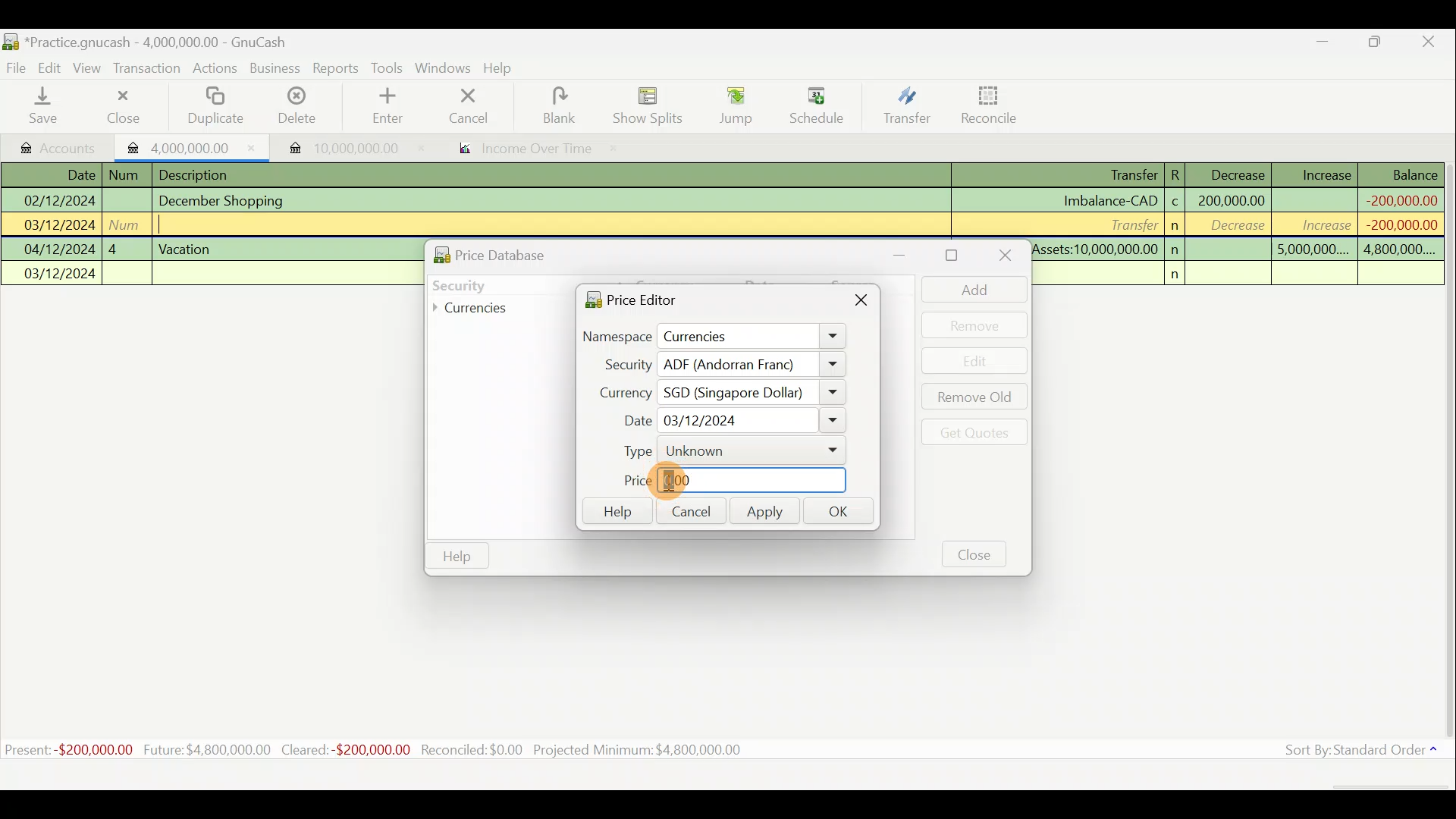  Describe the element at coordinates (60, 227) in the screenshot. I see `03/12/2024` at that location.